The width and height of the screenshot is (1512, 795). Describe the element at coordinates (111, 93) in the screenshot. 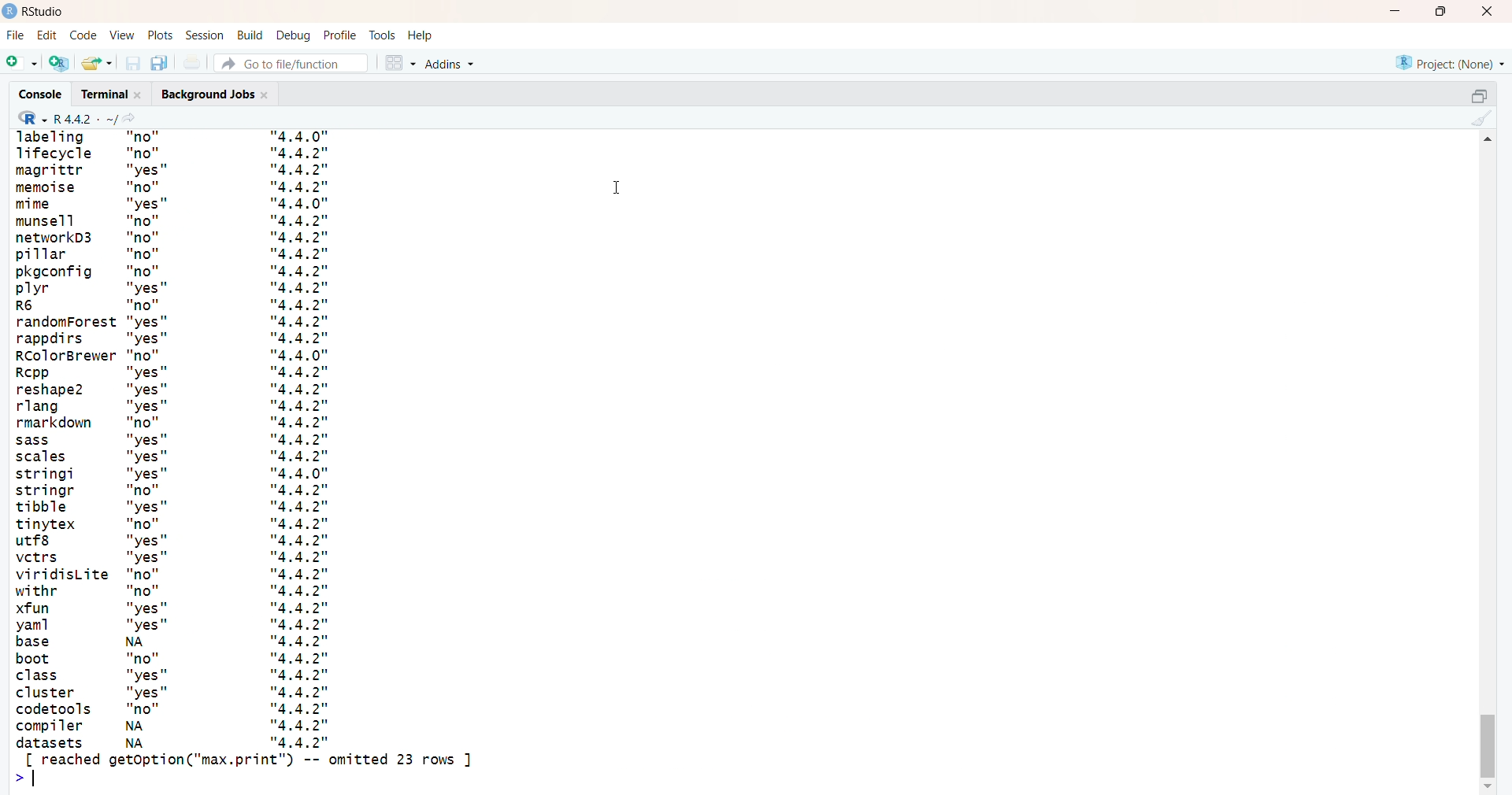

I see `terminal` at that location.